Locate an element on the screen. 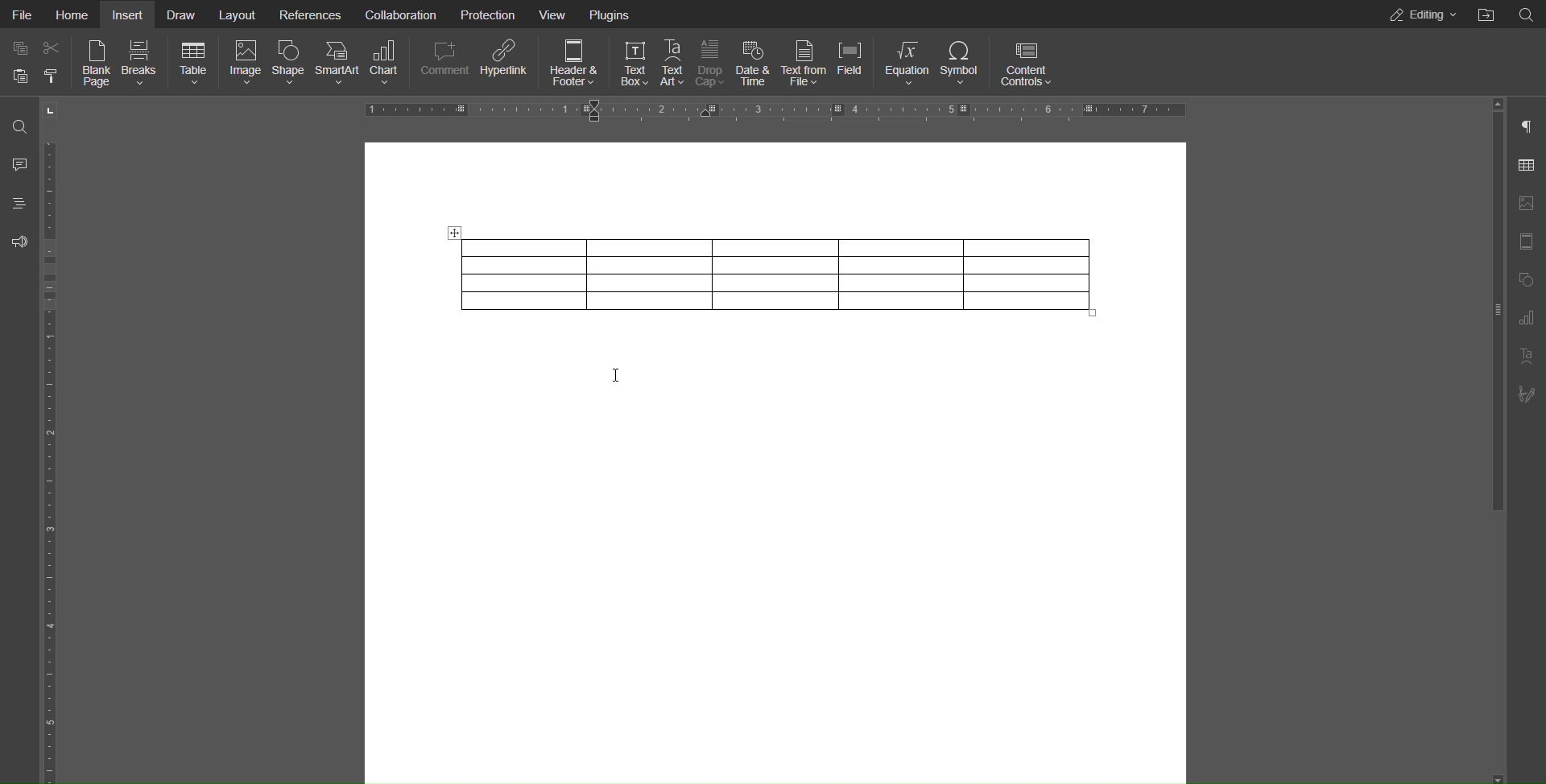 The image size is (1546, 784). Full Table is located at coordinates (777, 274).